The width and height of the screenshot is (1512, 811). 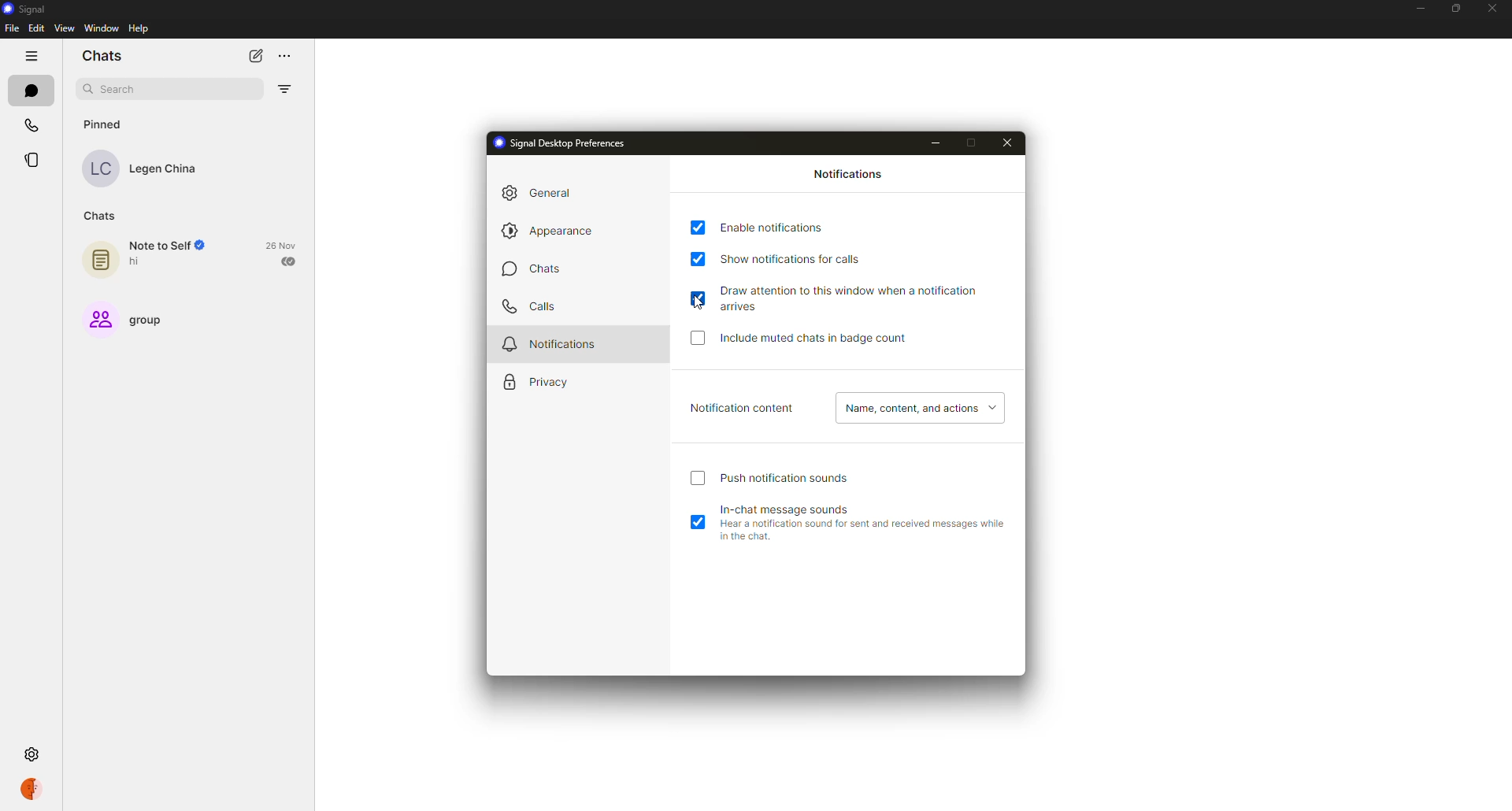 What do you see at coordinates (169, 246) in the screenshot?
I see `Note to Self` at bounding box center [169, 246].